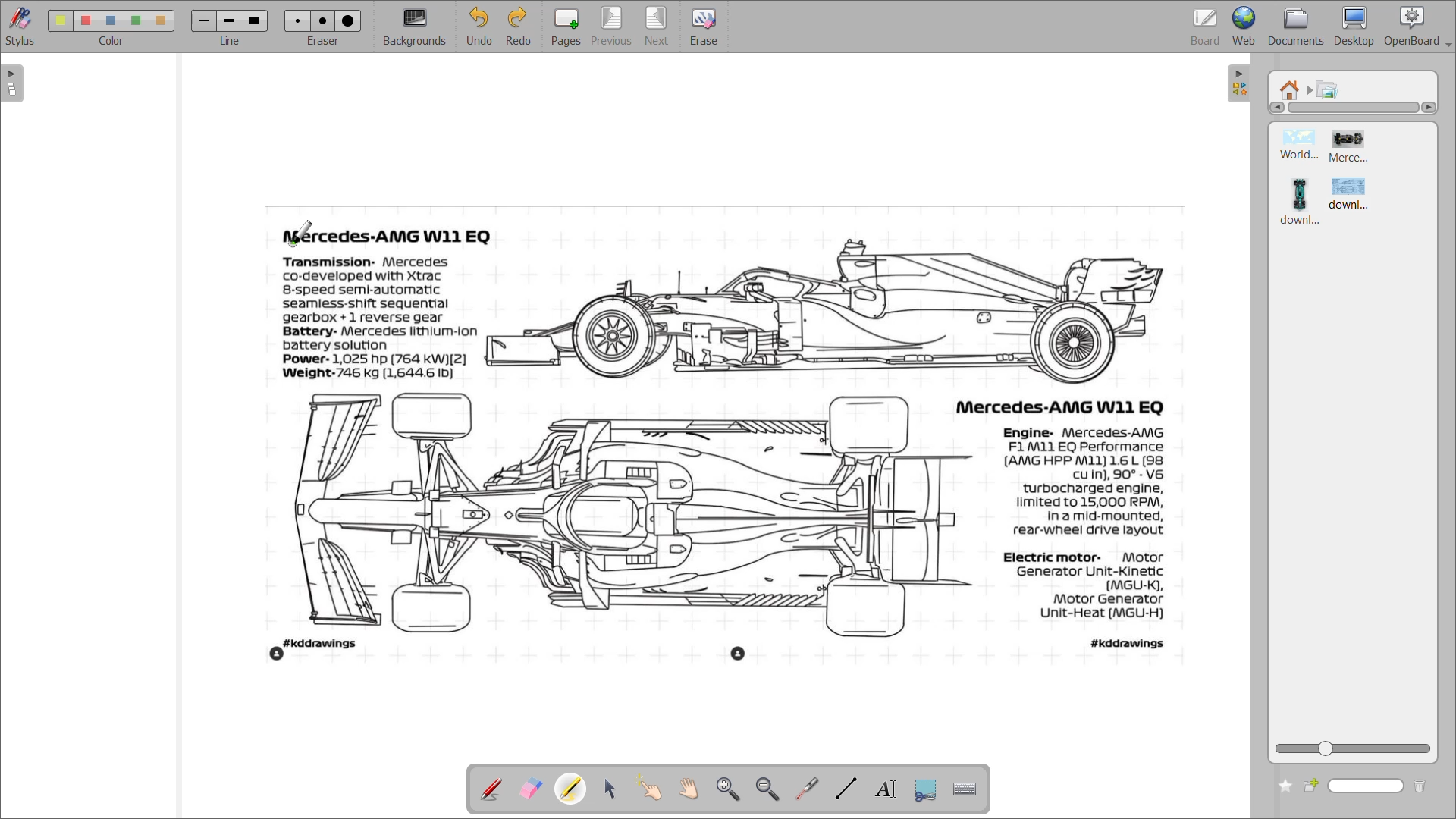  Describe the element at coordinates (136, 22) in the screenshot. I see `color 4` at that location.